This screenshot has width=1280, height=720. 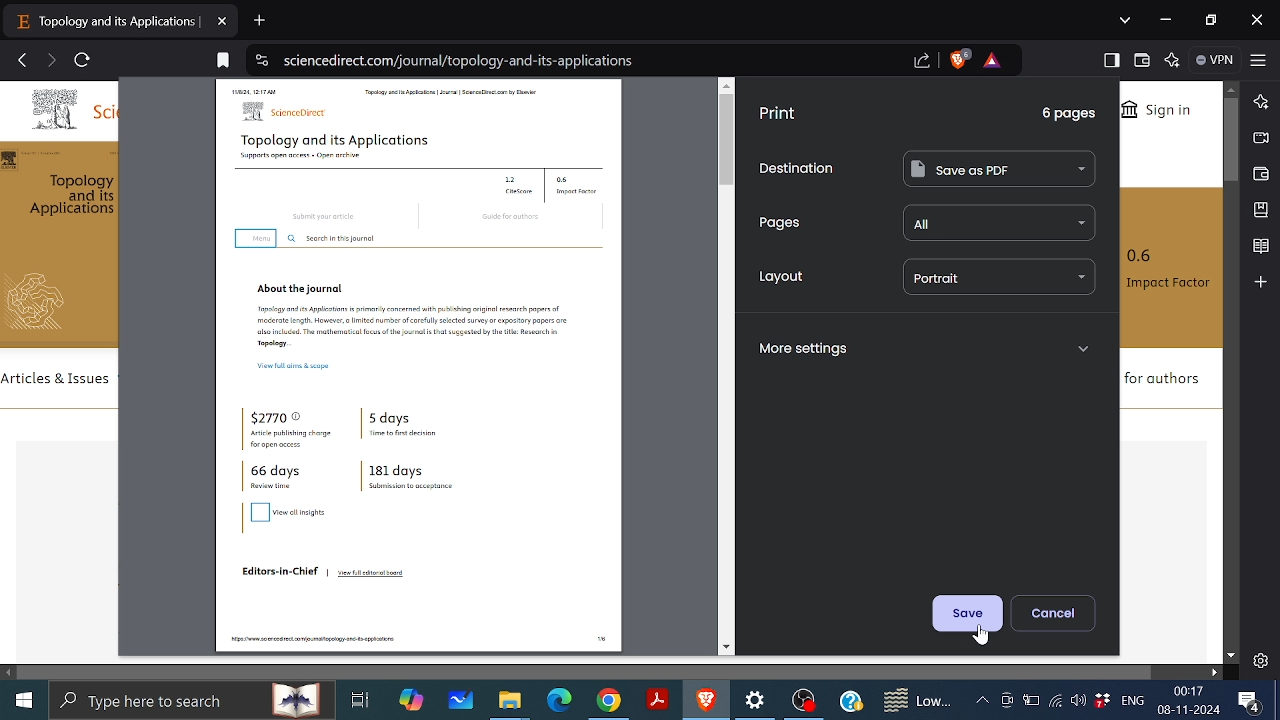 What do you see at coordinates (805, 170) in the screenshot?
I see `Destination` at bounding box center [805, 170].